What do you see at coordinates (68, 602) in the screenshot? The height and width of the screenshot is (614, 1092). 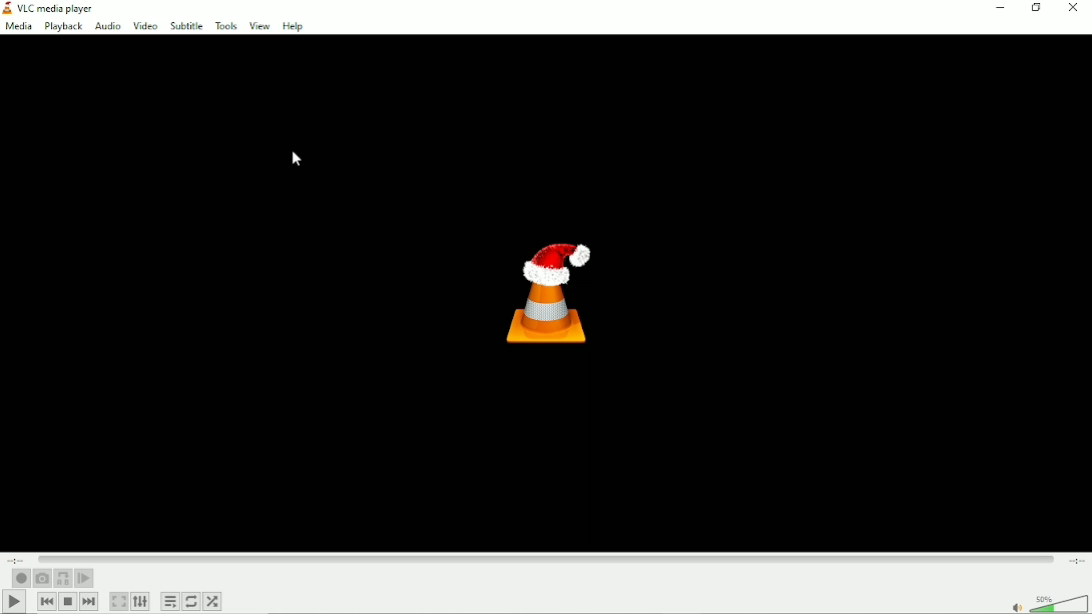 I see `Stop playlist` at bounding box center [68, 602].